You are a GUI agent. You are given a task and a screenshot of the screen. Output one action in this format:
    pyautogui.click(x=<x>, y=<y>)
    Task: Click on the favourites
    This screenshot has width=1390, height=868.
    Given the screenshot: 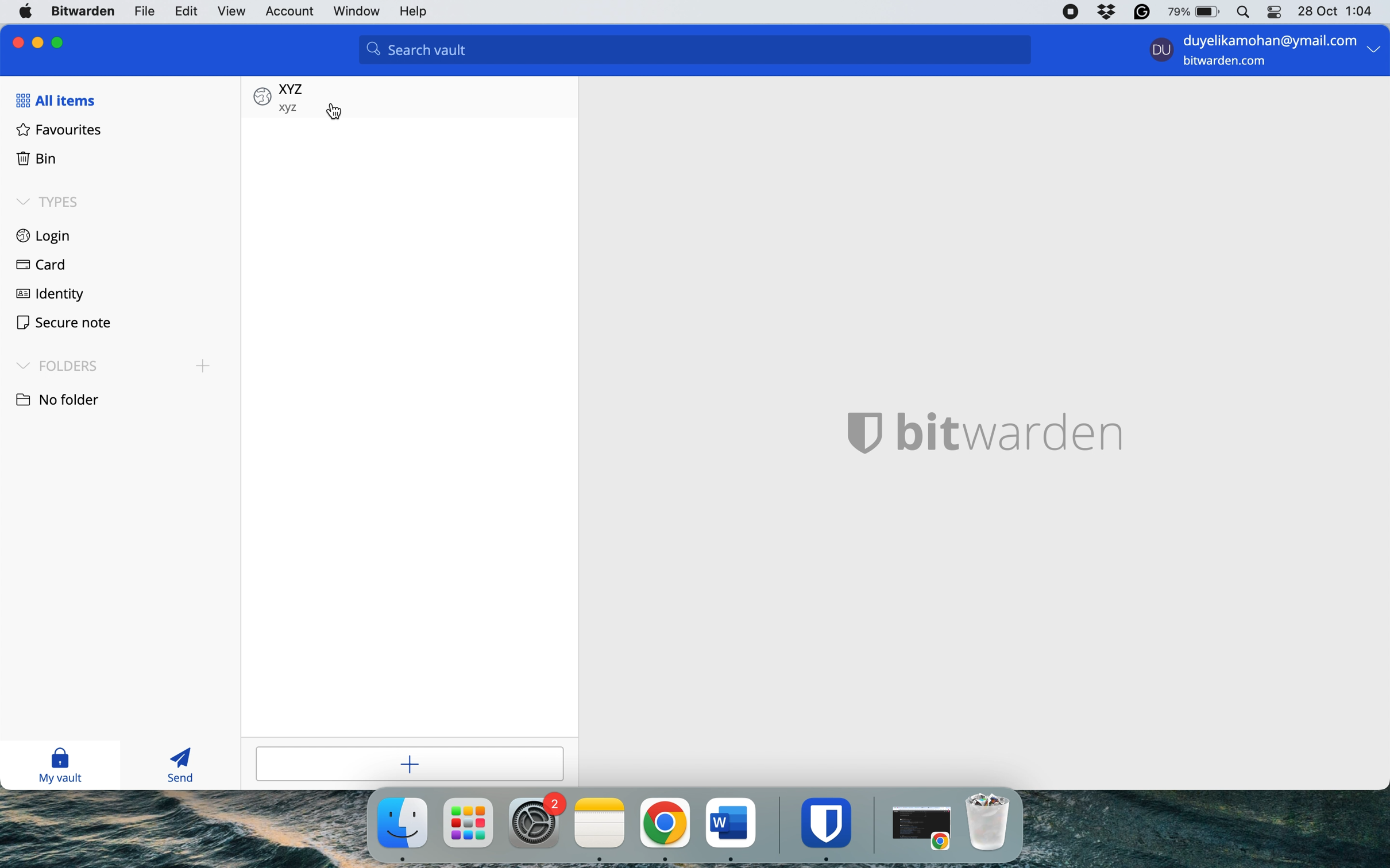 What is the action you would take?
    pyautogui.click(x=60, y=129)
    